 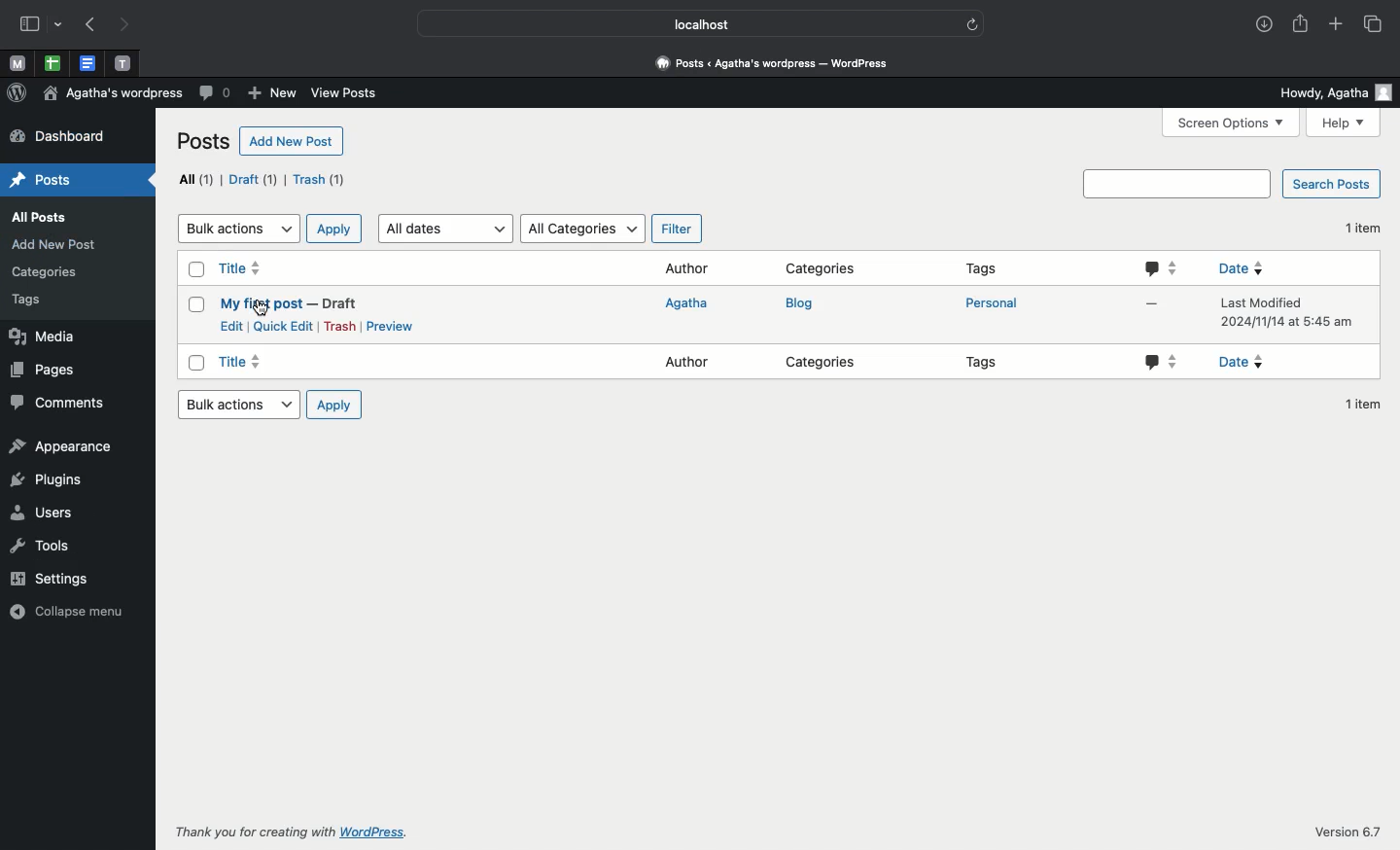 I want to click on -, so click(x=1154, y=301).